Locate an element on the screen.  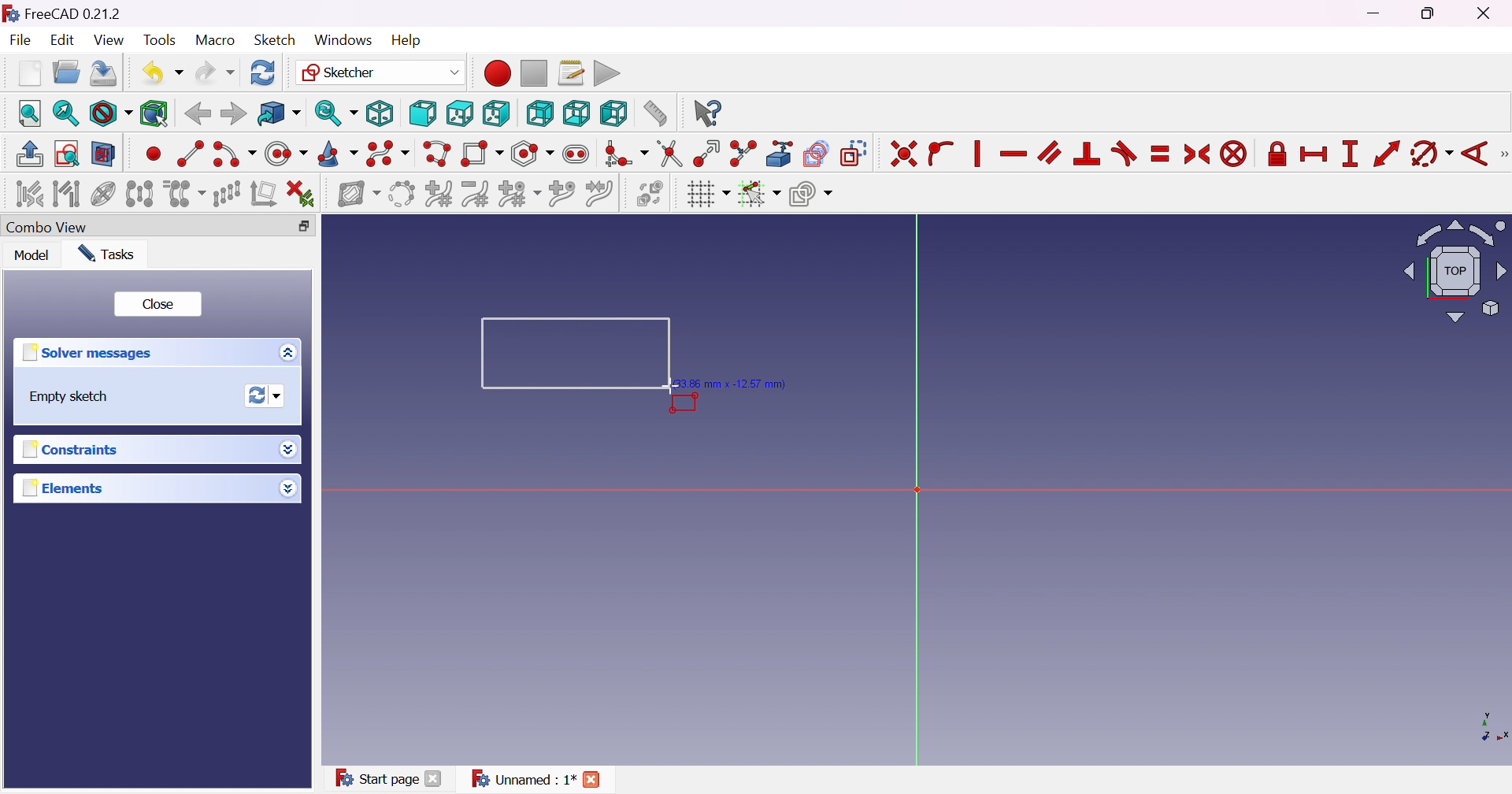
View is located at coordinates (110, 40).